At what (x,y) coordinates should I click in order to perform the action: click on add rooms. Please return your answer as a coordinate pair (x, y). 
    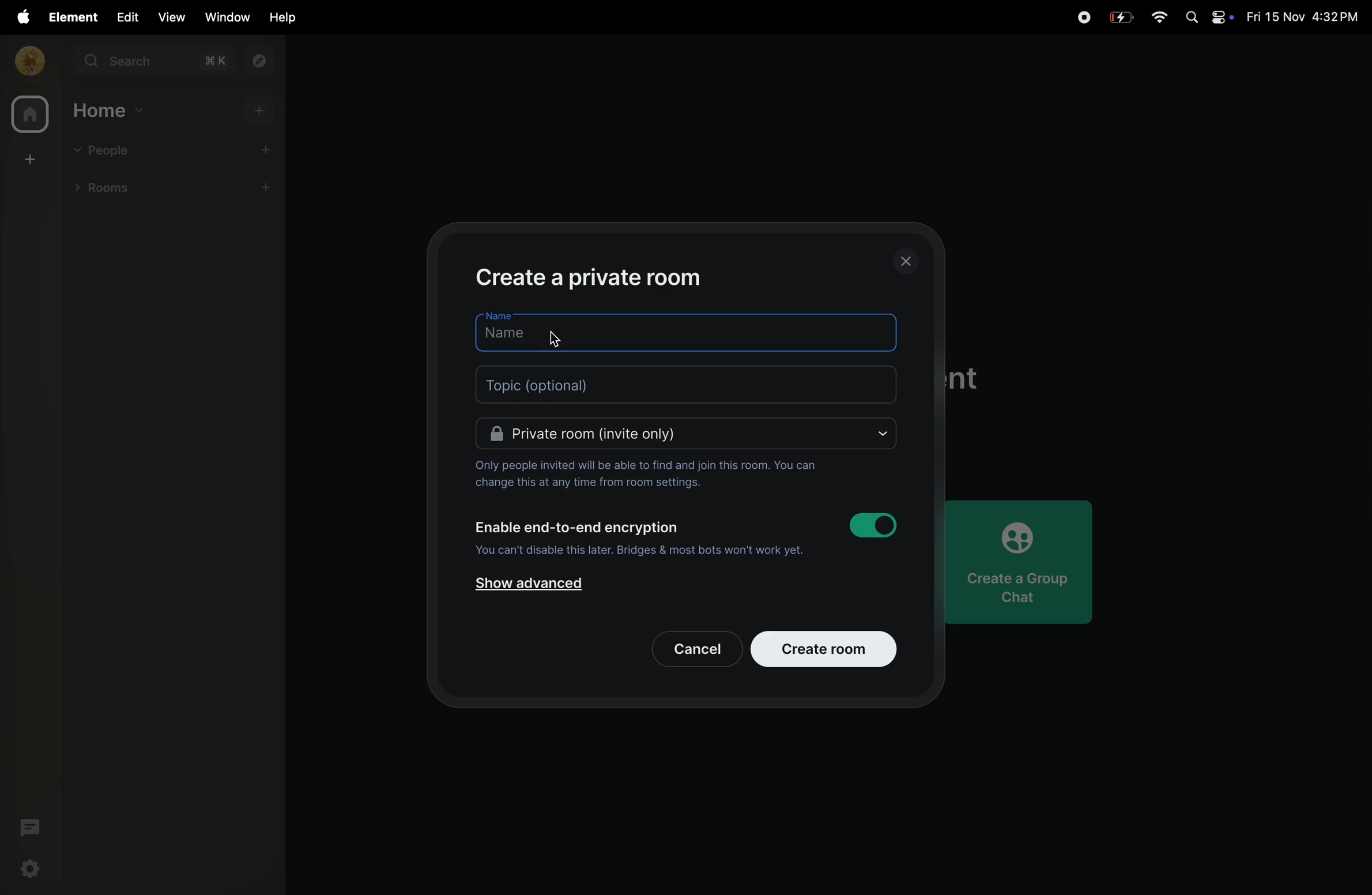
    Looking at the image, I should click on (270, 189).